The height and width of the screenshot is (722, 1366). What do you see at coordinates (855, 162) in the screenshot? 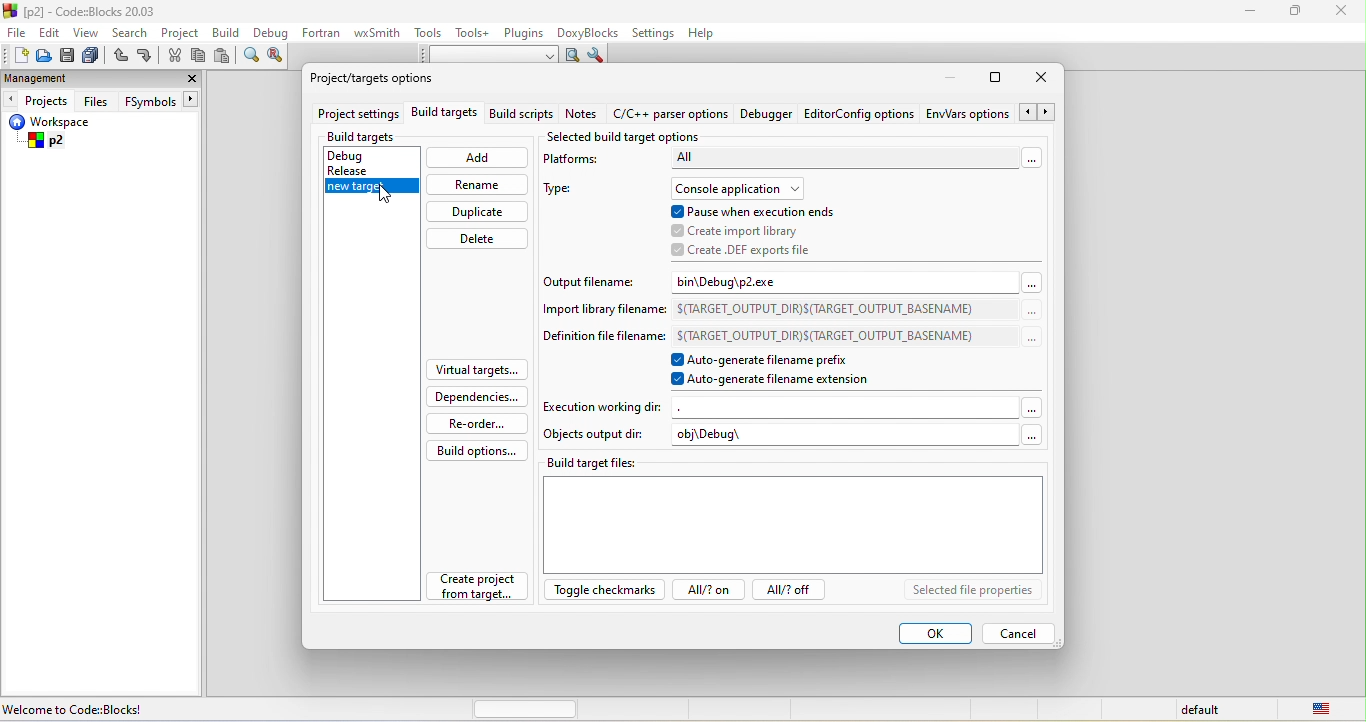
I see `all` at bounding box center [855, 162].